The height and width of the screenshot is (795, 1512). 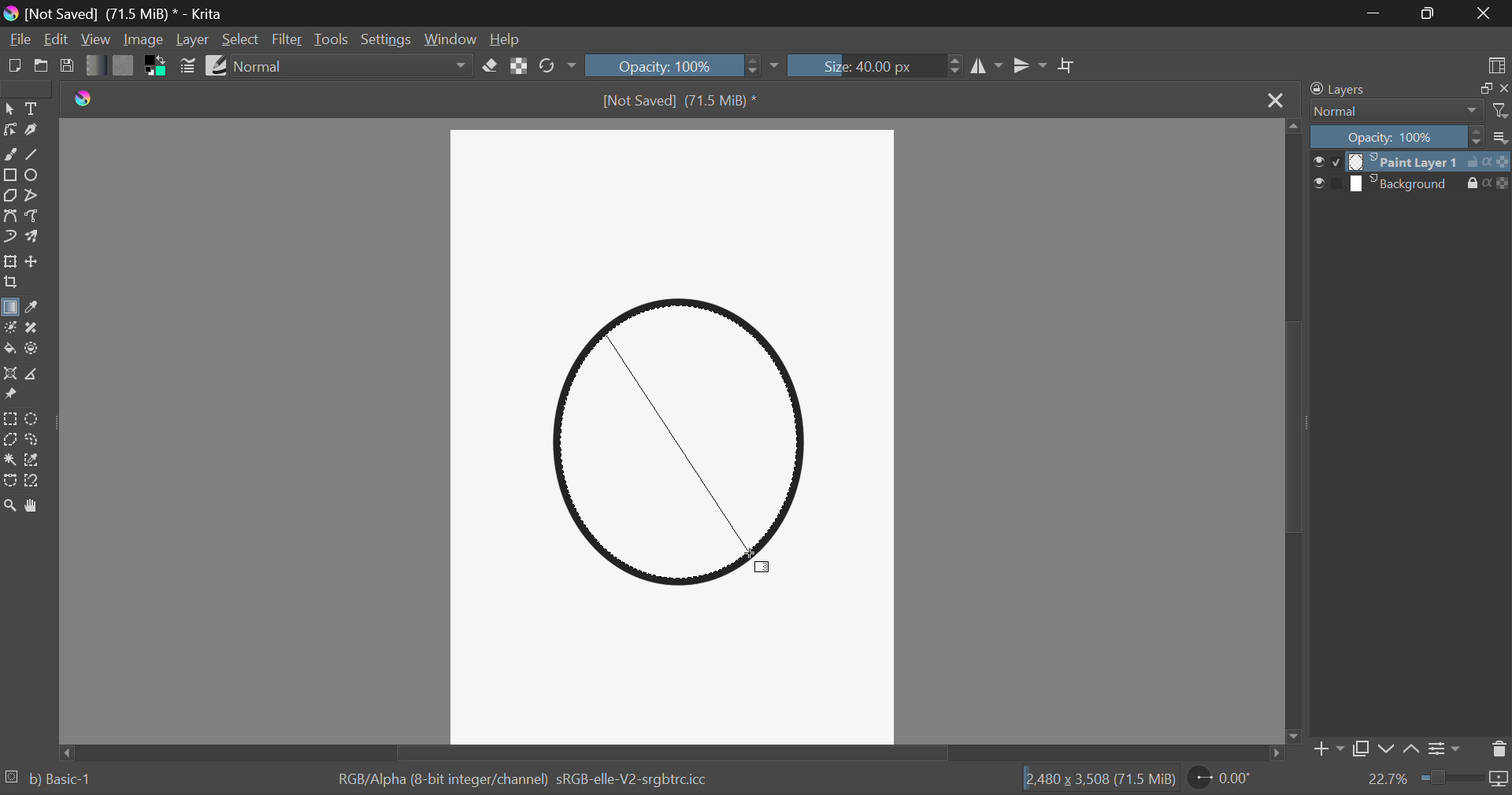 What do you see at coordinates (556, 65) in the screenshot?
I see `Rotate` at bounding box center [556, 65].